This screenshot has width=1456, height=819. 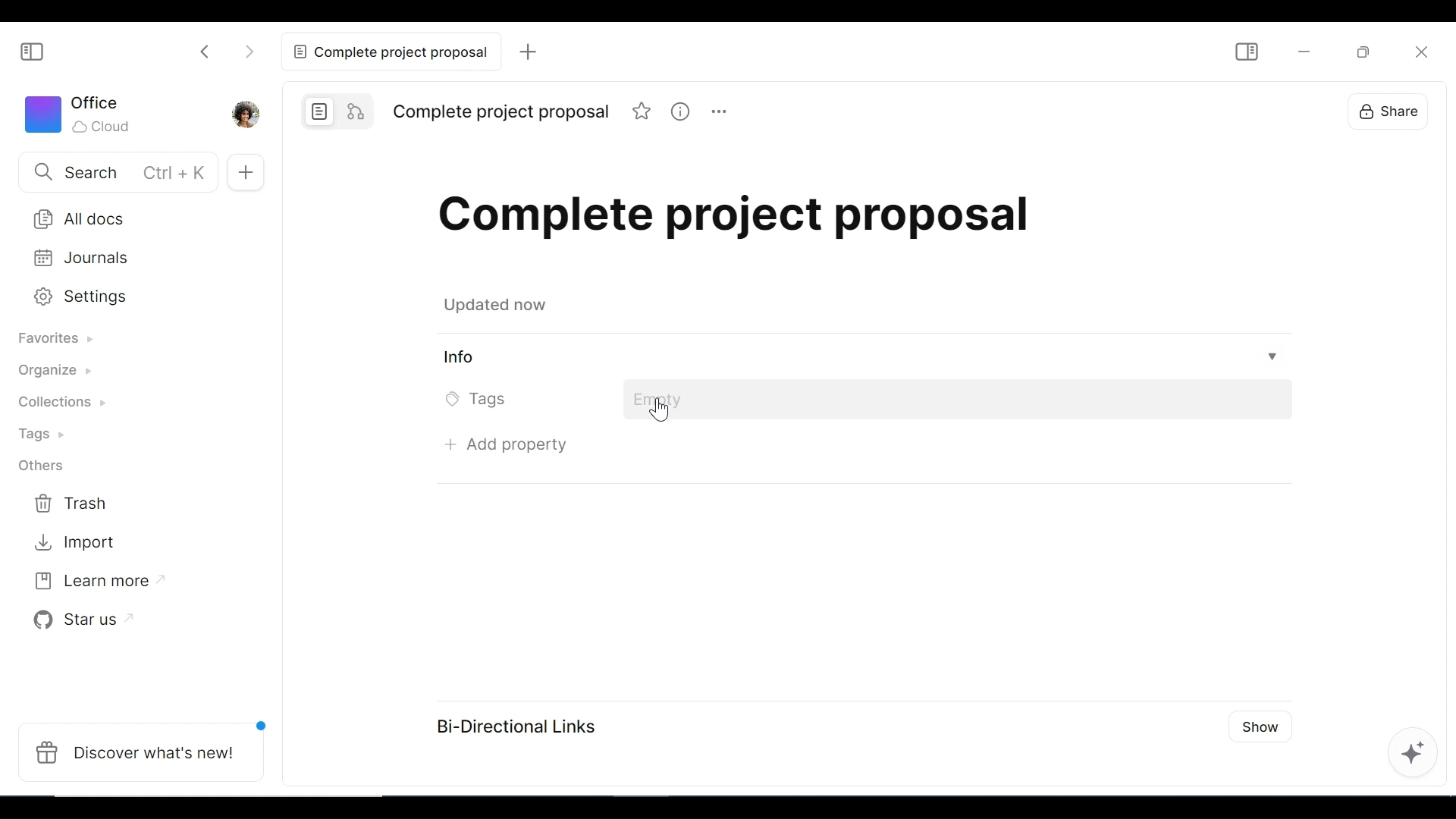 I want to click on more, so click(x=722, y=114).